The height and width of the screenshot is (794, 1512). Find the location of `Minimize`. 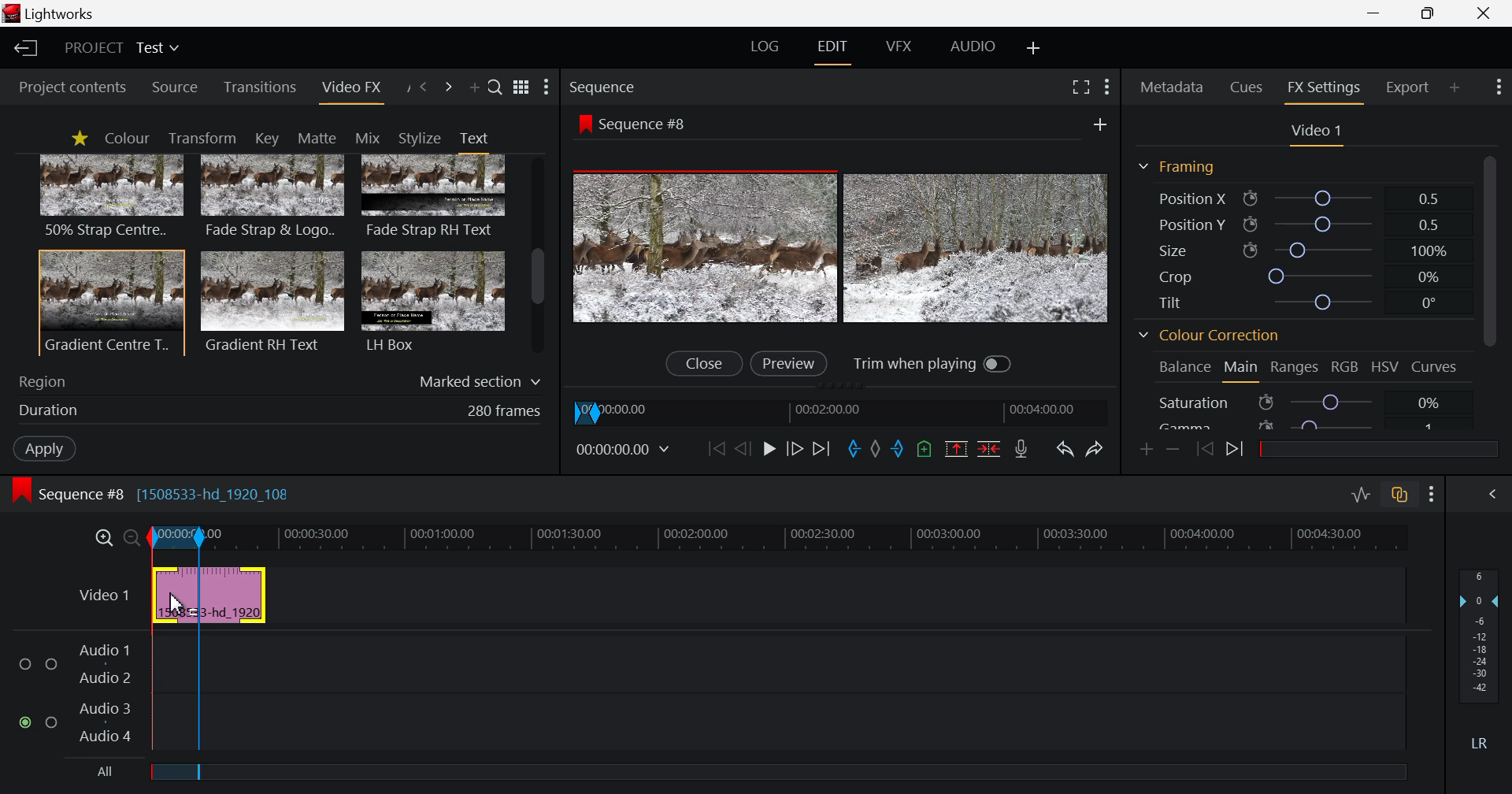

Minimize is located at coordinates (1432, 14).